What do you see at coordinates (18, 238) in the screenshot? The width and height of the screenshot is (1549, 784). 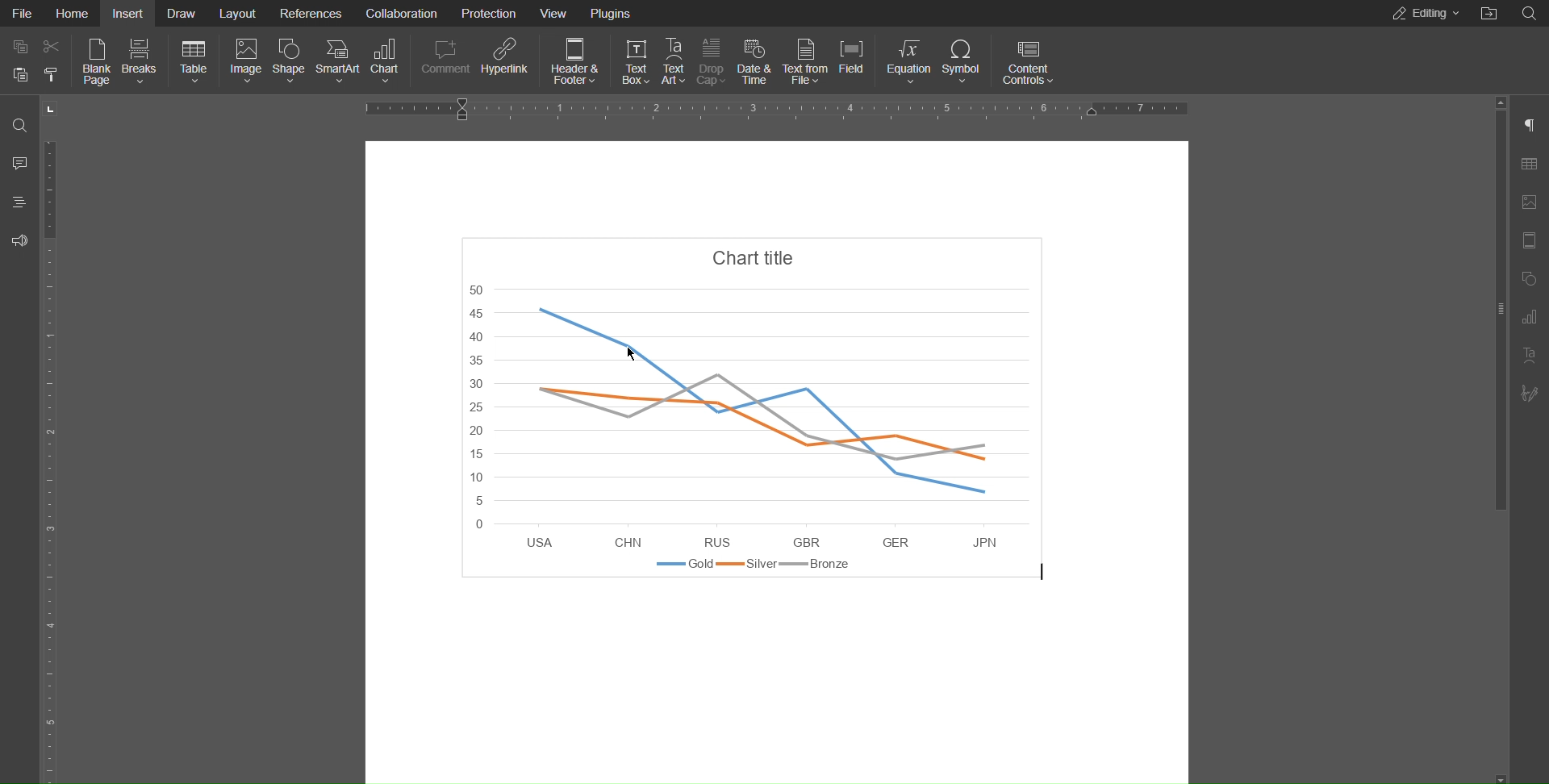 I see `Feedback and Support` at bounding box center [18, 238].